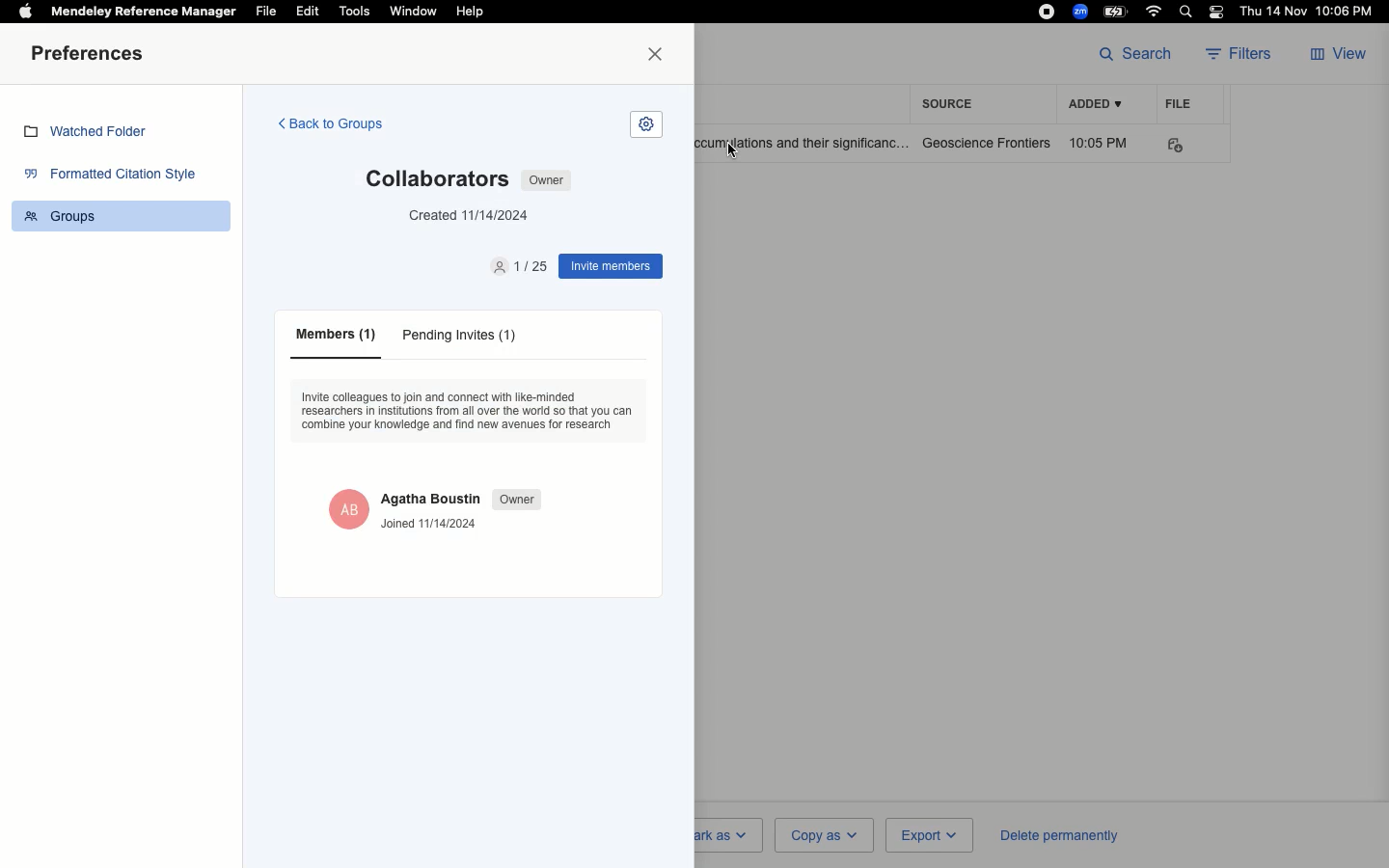 This screenshot has height=868, width=1389. Describe the element at coordinates (1188, 146) in the screenshot. I see `PDF` at that location.